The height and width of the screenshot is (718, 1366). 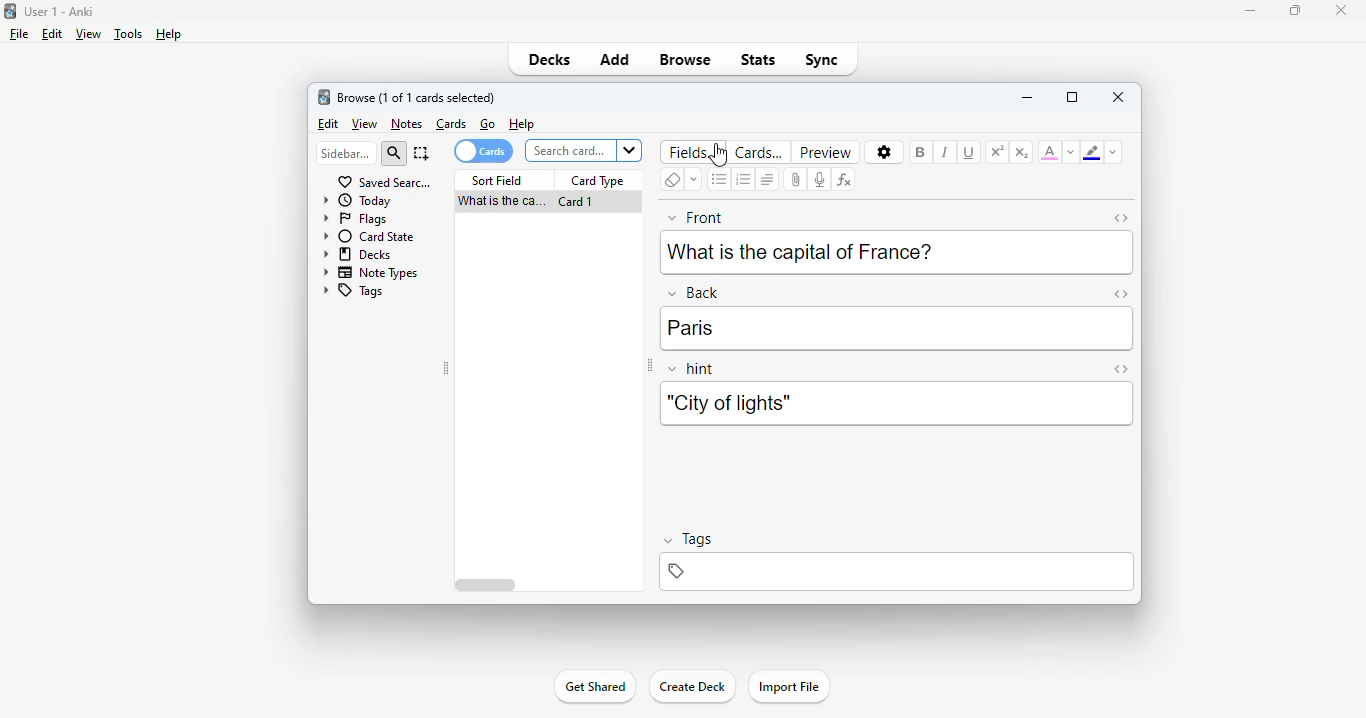 What do you see at coordinates (648, 366) in the screenshot?
I see `toggle sidebar` at bounding box center [648, 366].